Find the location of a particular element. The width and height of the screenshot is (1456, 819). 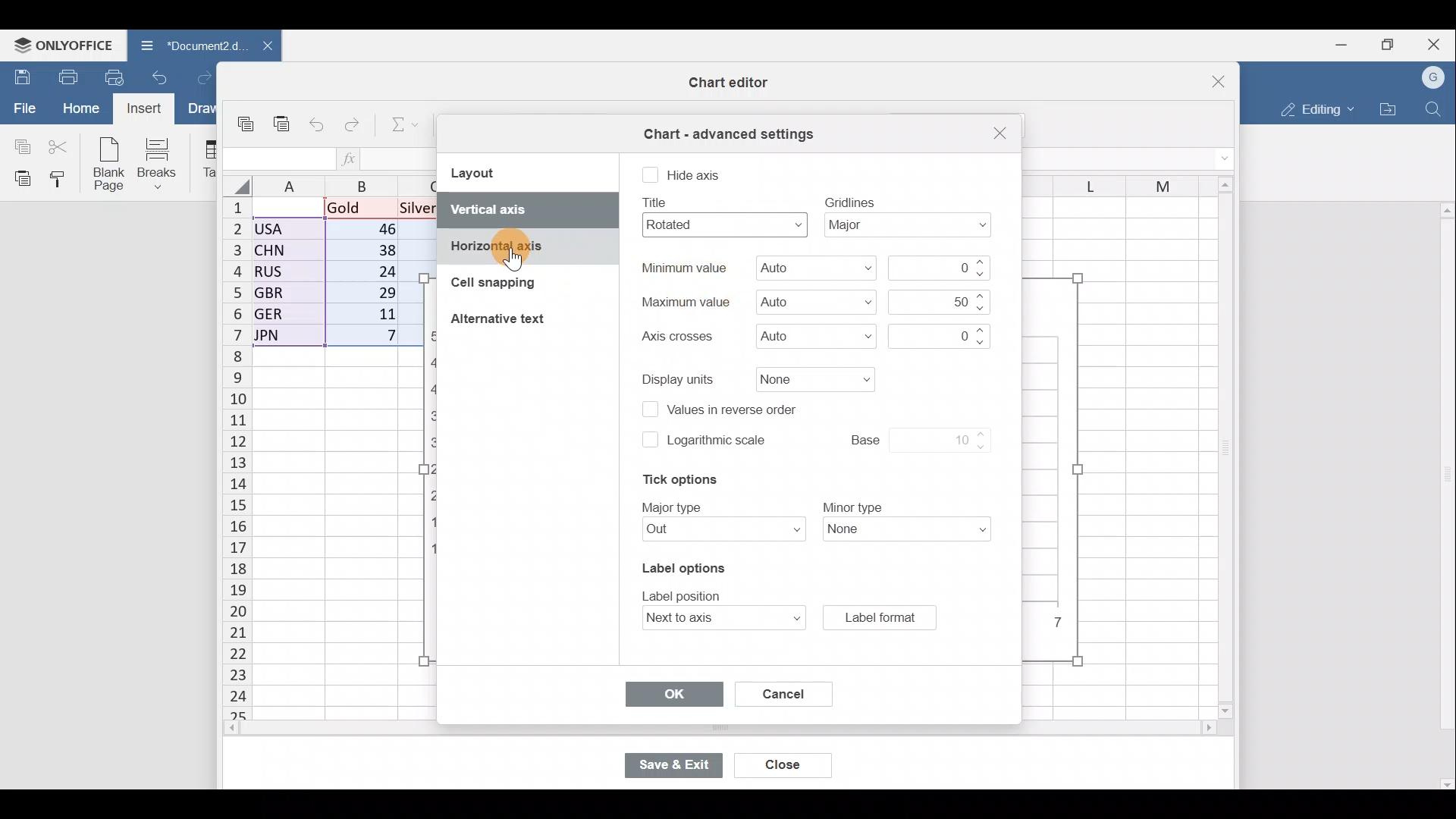

Columns is located at coordinates (332, 186).